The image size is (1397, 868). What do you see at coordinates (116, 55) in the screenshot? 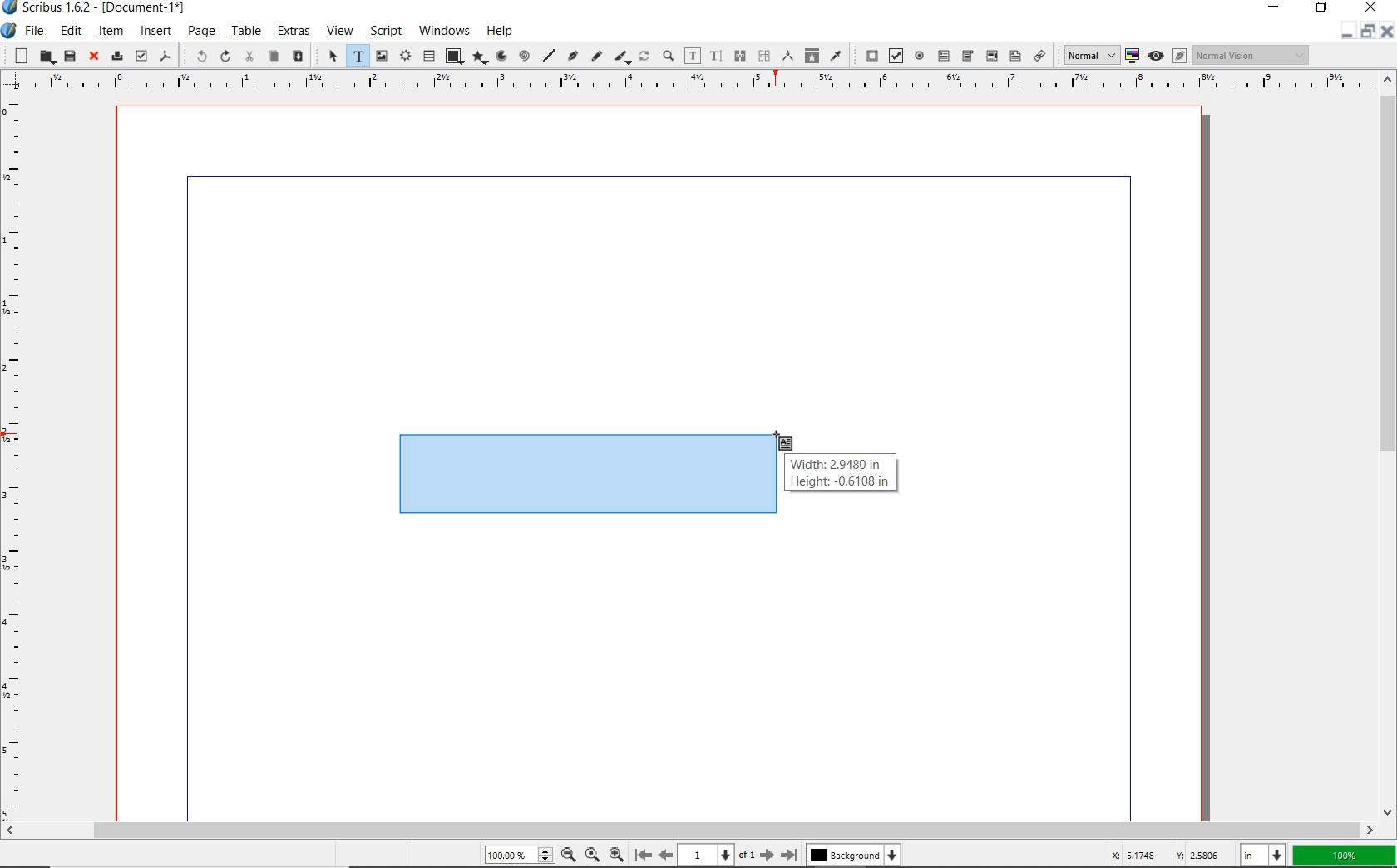
I see `print` at bounding box center [116, 55].